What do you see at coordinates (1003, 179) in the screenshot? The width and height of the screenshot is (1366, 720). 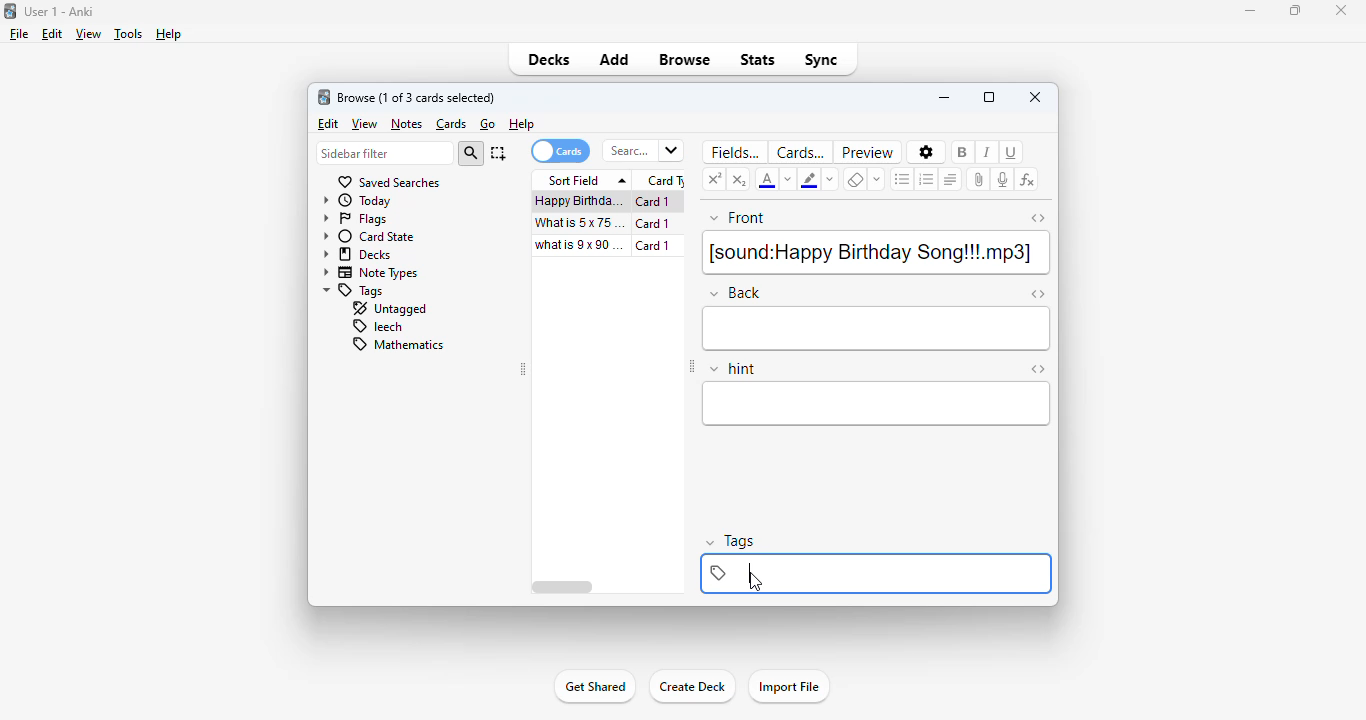 I see `record audio` at bounding box center [1003, 179].